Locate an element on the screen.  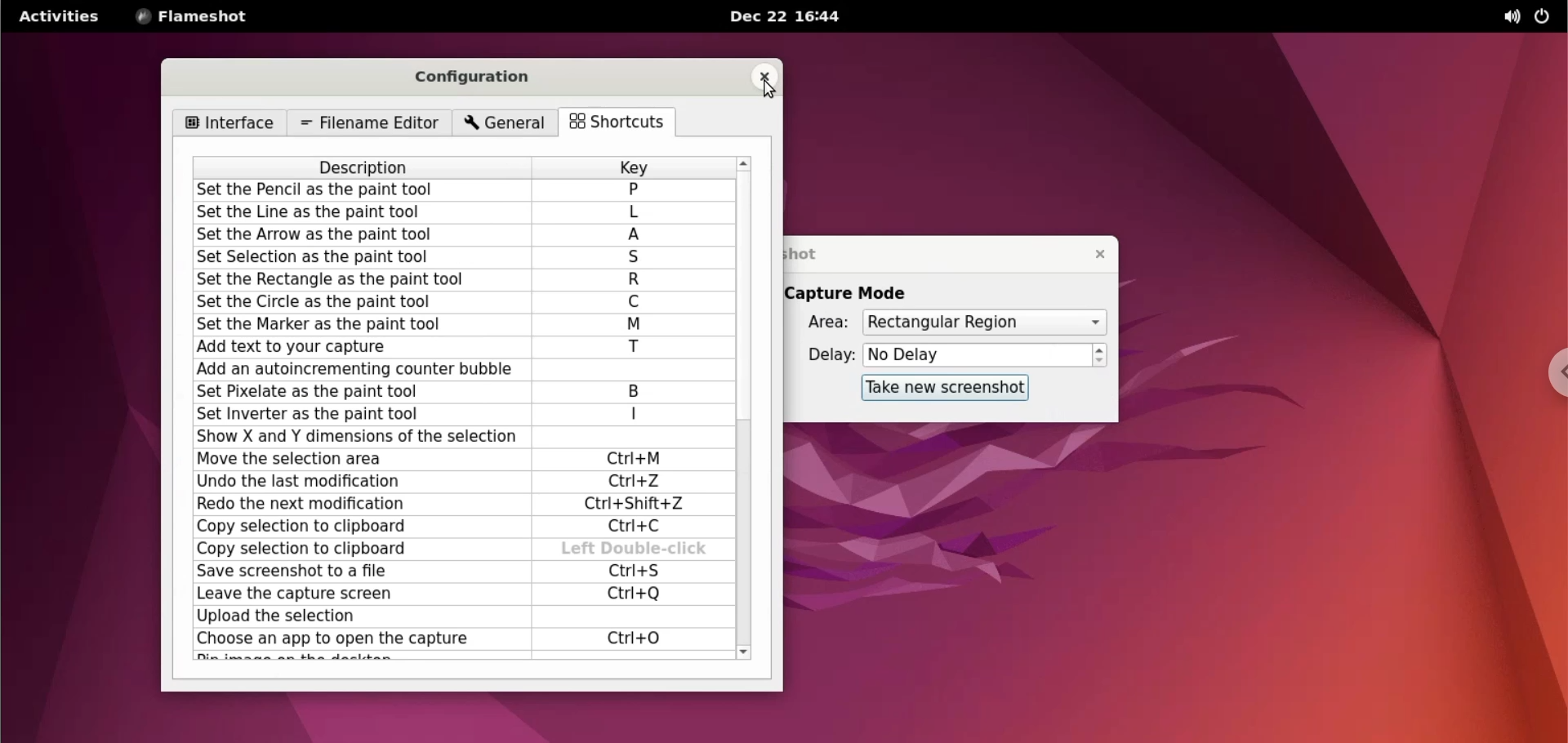
take new screenshot is located at coordinates (947, 388).